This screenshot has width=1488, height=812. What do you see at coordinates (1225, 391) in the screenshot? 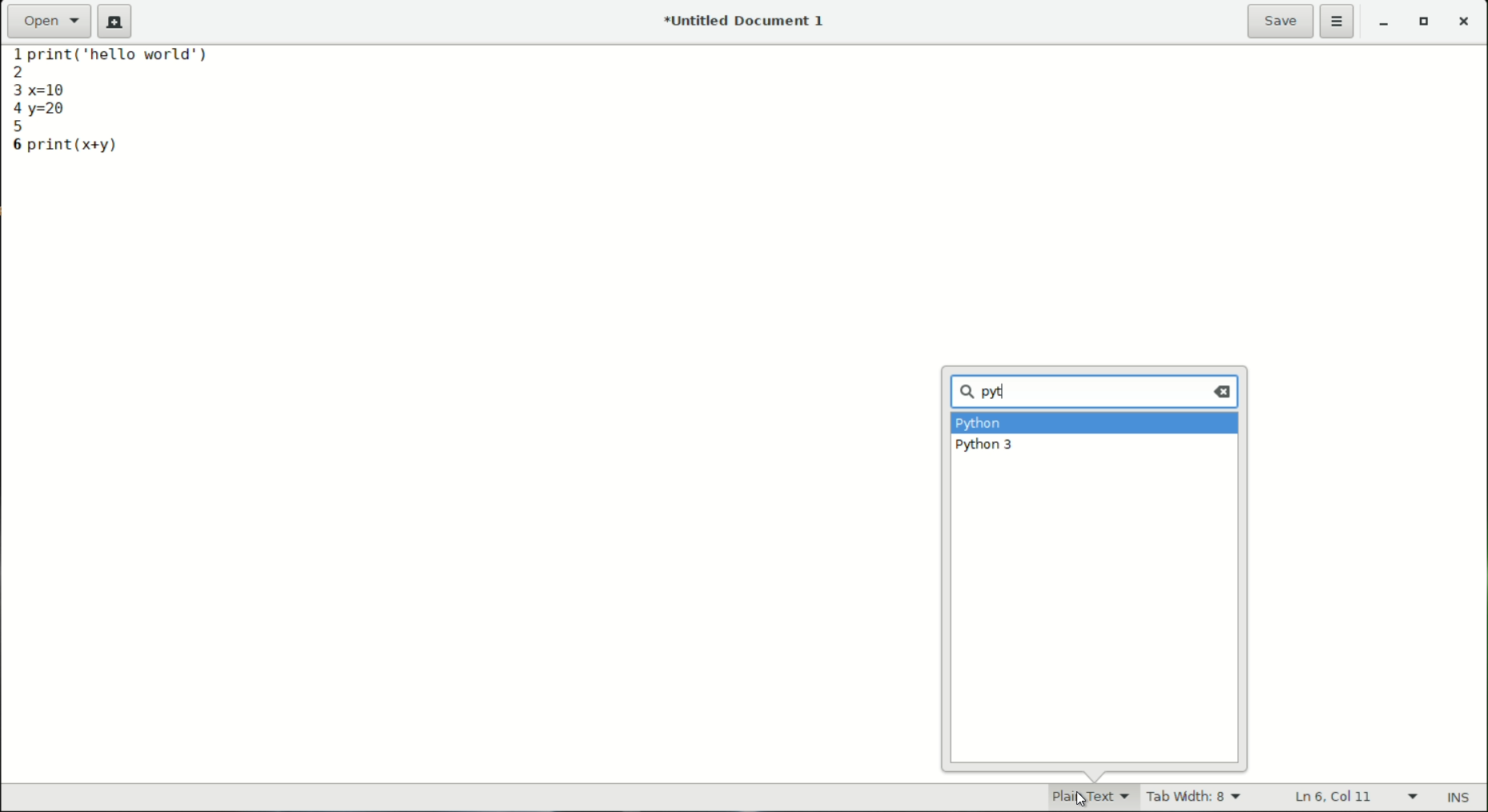
I see `clear` at bounding box center [1225, 391].